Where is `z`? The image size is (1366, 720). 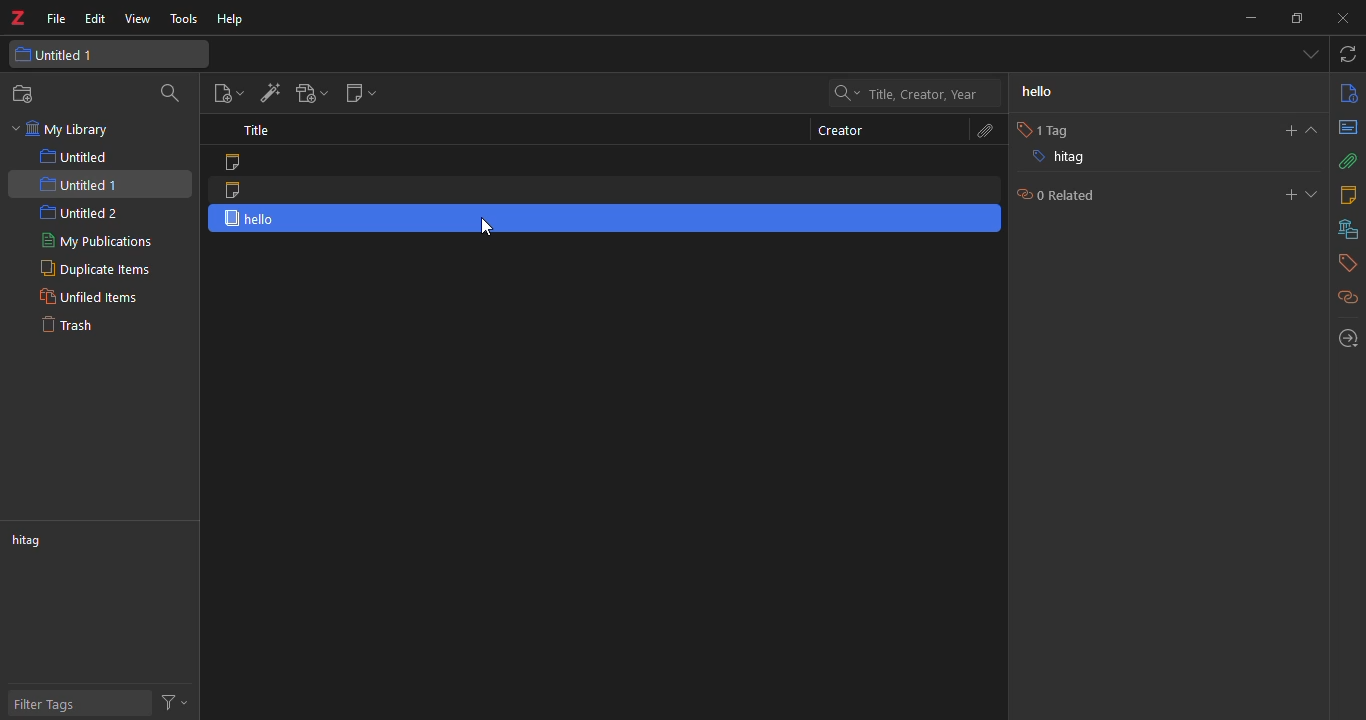 z is located at coordinates (15, 20).